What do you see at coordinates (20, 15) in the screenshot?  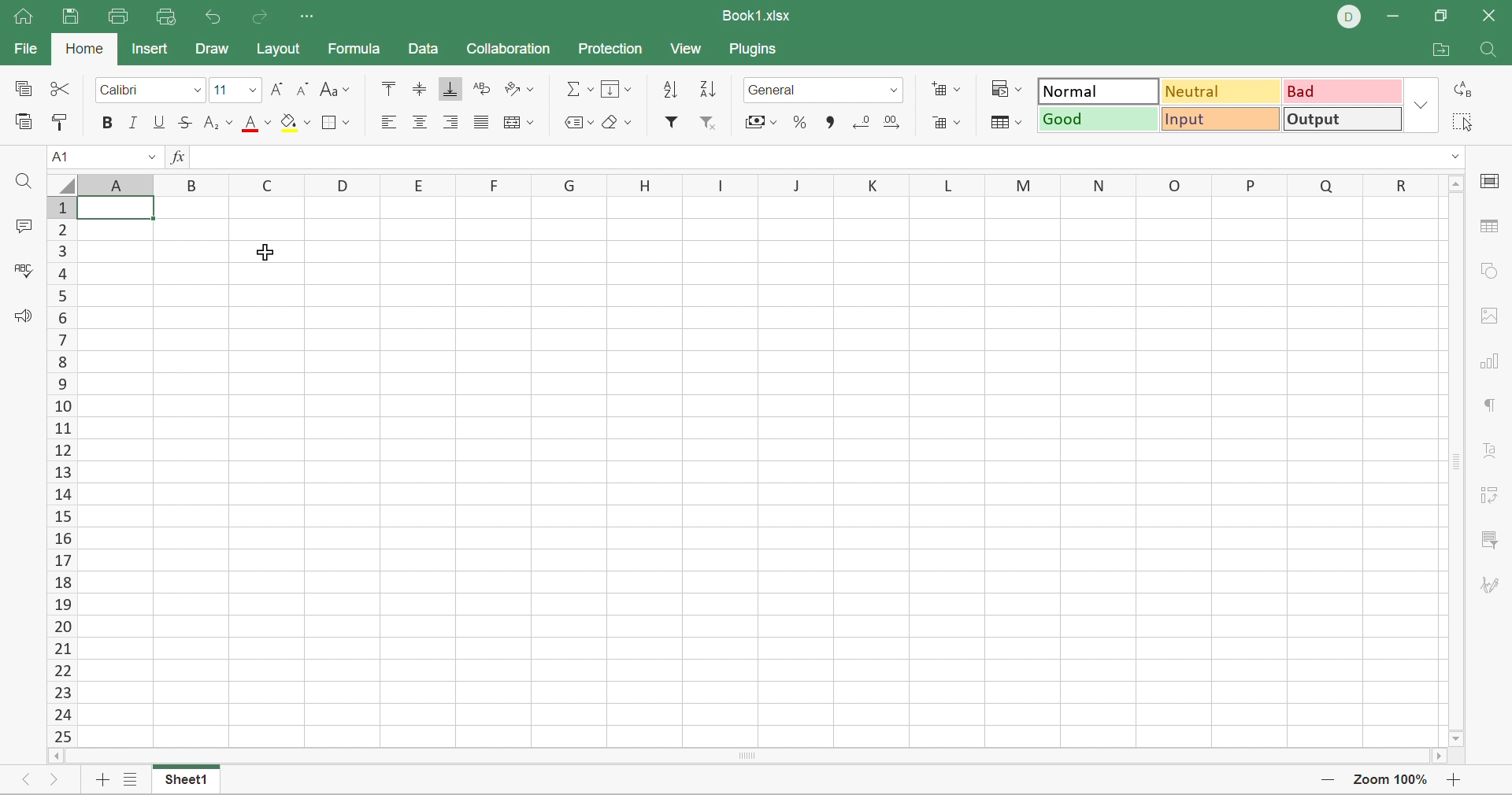 I see `Home` at bounding box center [20, 15].